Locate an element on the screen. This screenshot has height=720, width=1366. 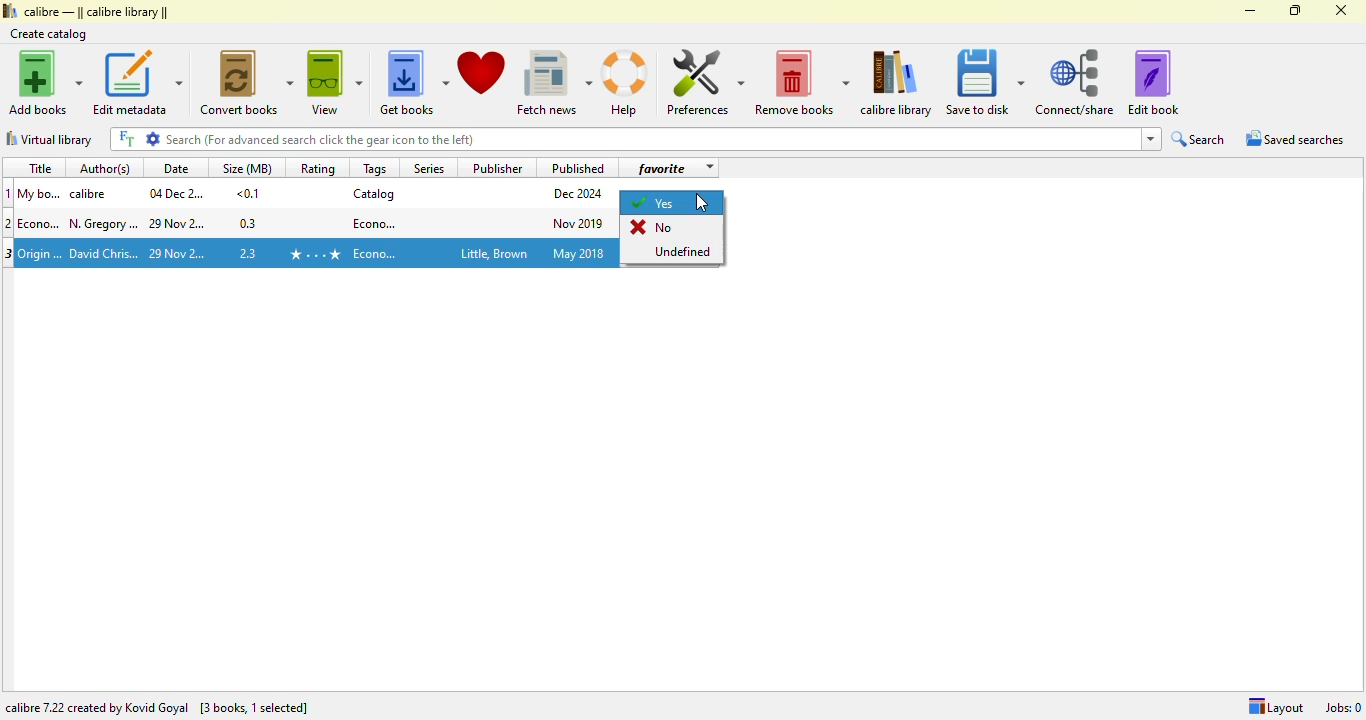
author is located at coordinates (92, 194).